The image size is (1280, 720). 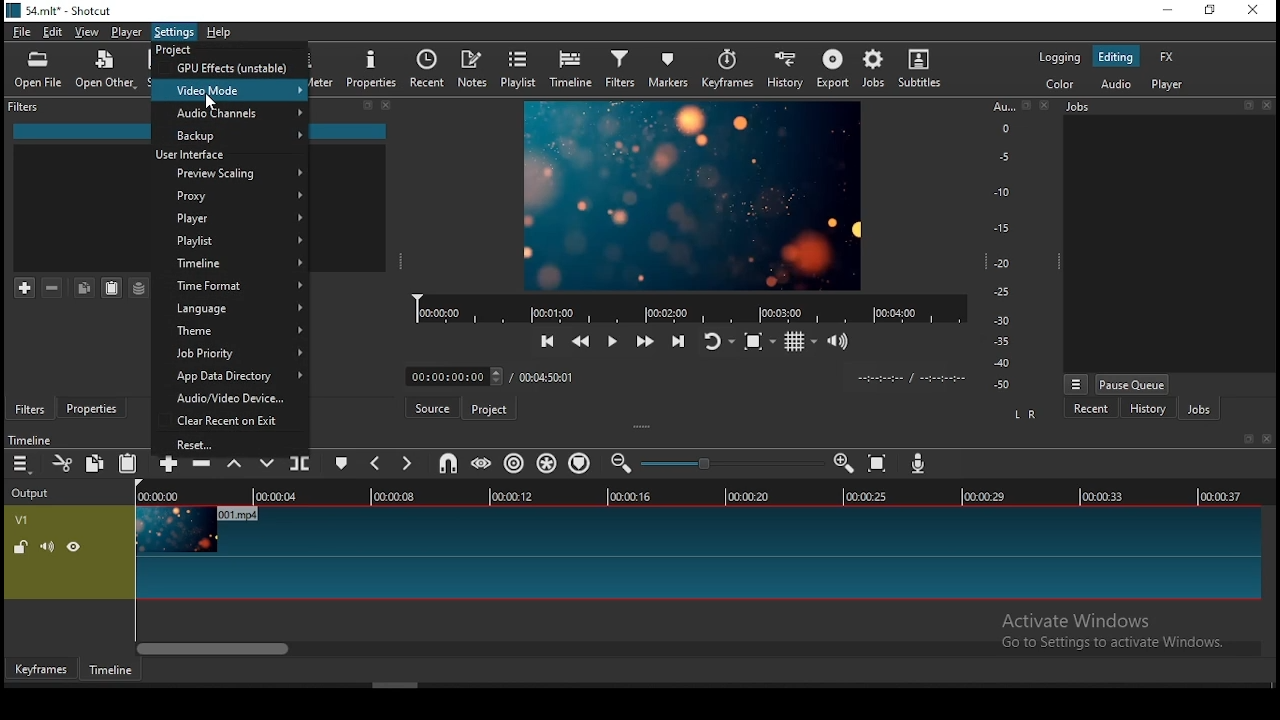 What do you see at coordinates (373, 68) in the screenshot?
I see `properties` at bounding box center [373, 68].